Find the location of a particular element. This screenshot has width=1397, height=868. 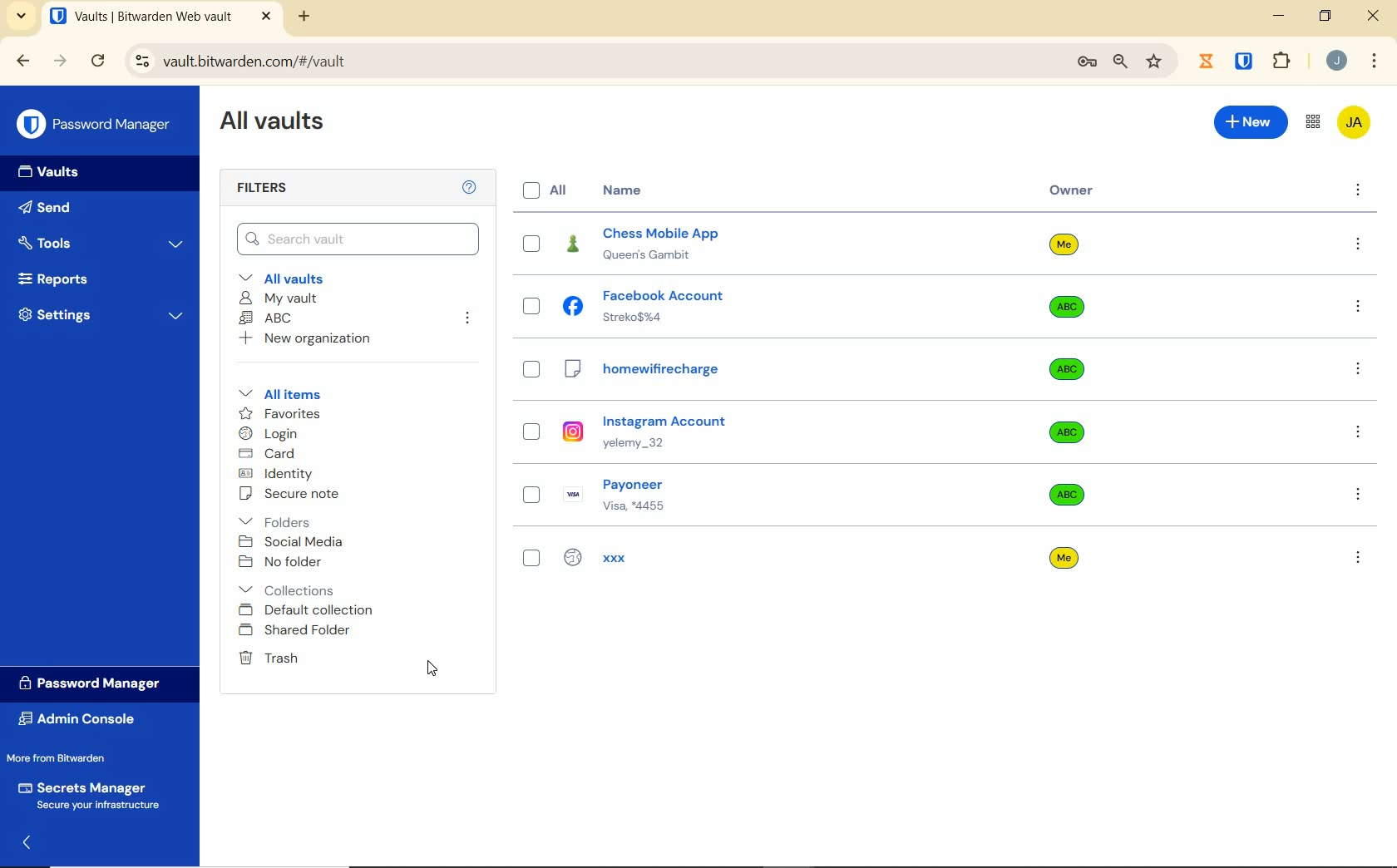

Default collection is located at coordinates (323, 611).